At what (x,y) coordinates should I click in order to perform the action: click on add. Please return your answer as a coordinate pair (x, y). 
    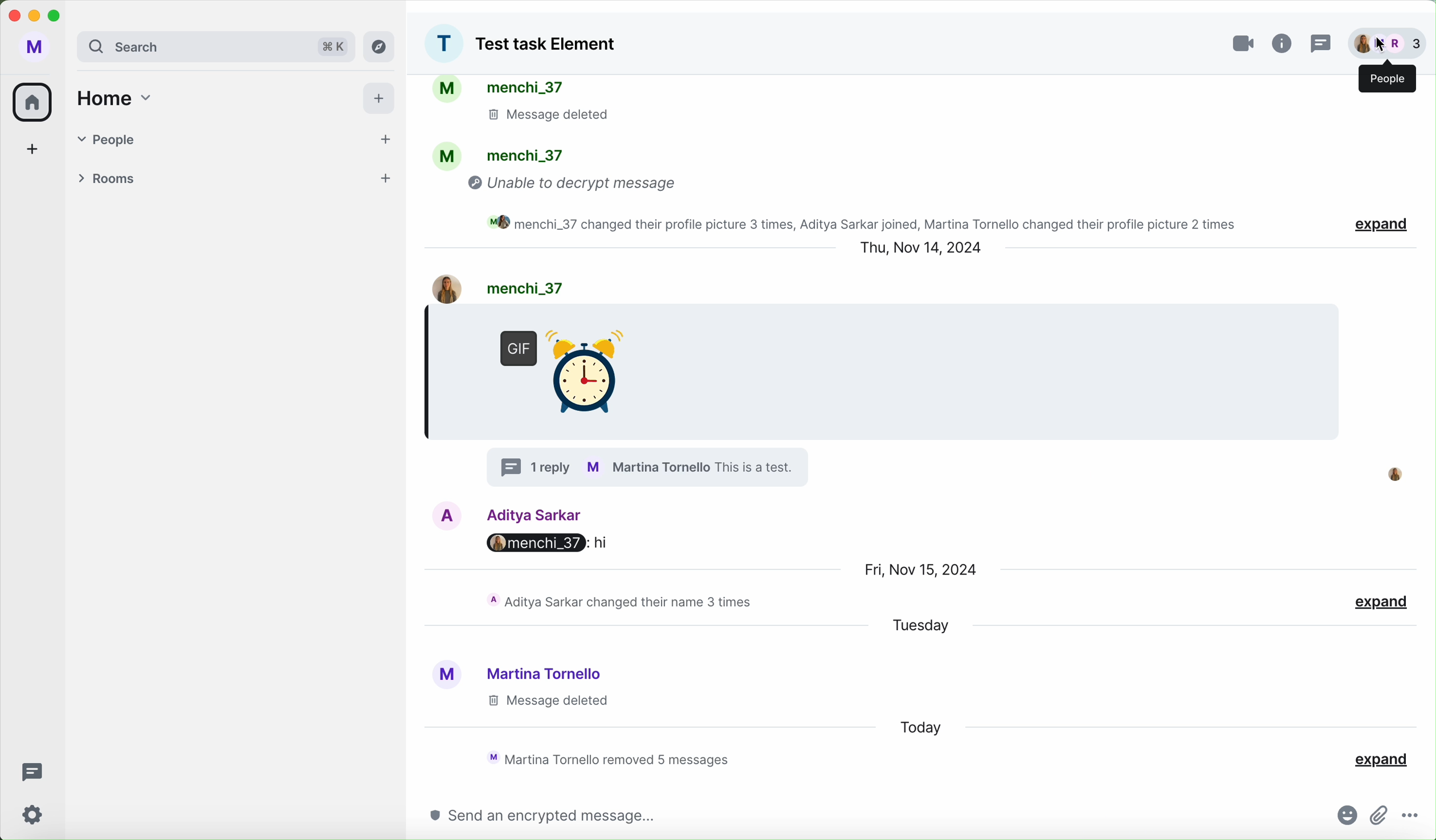
    Looking at the image, I should click on (378, 99).